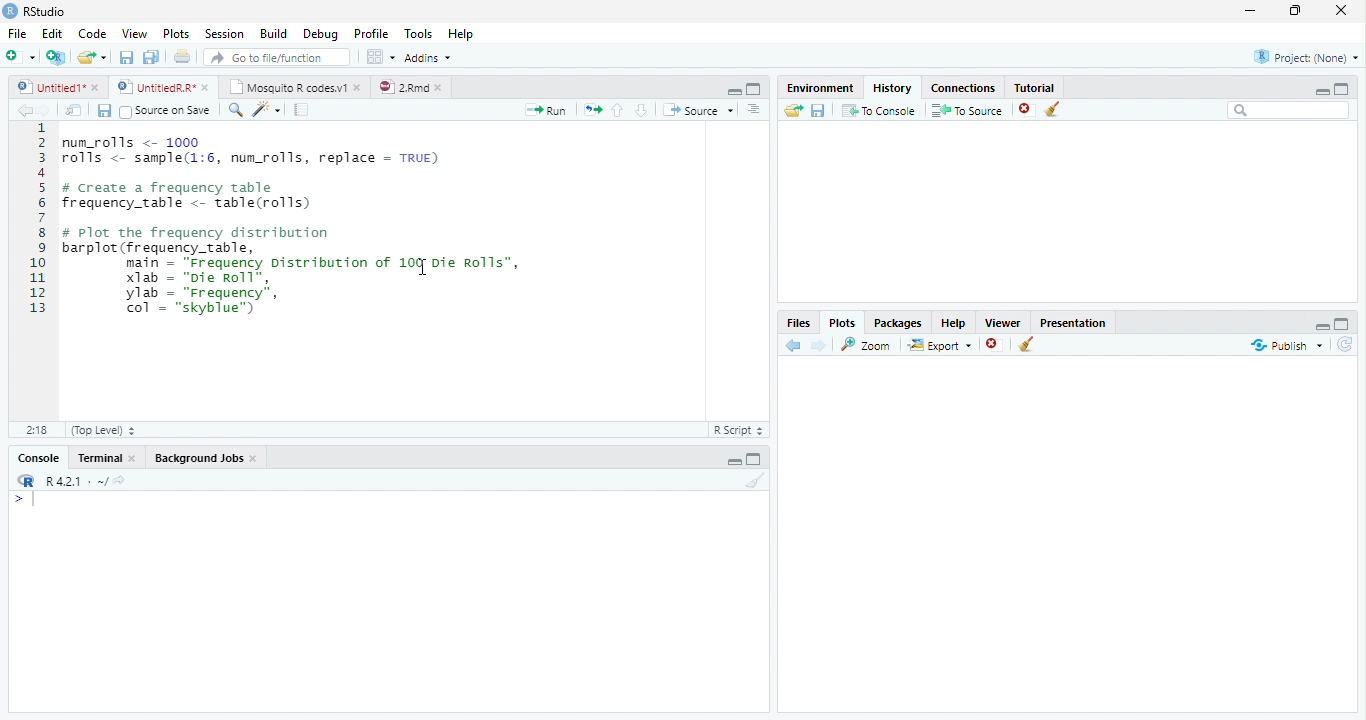 The image size is (1366, 720). I want to click on Next Plot, so click(820, 345).